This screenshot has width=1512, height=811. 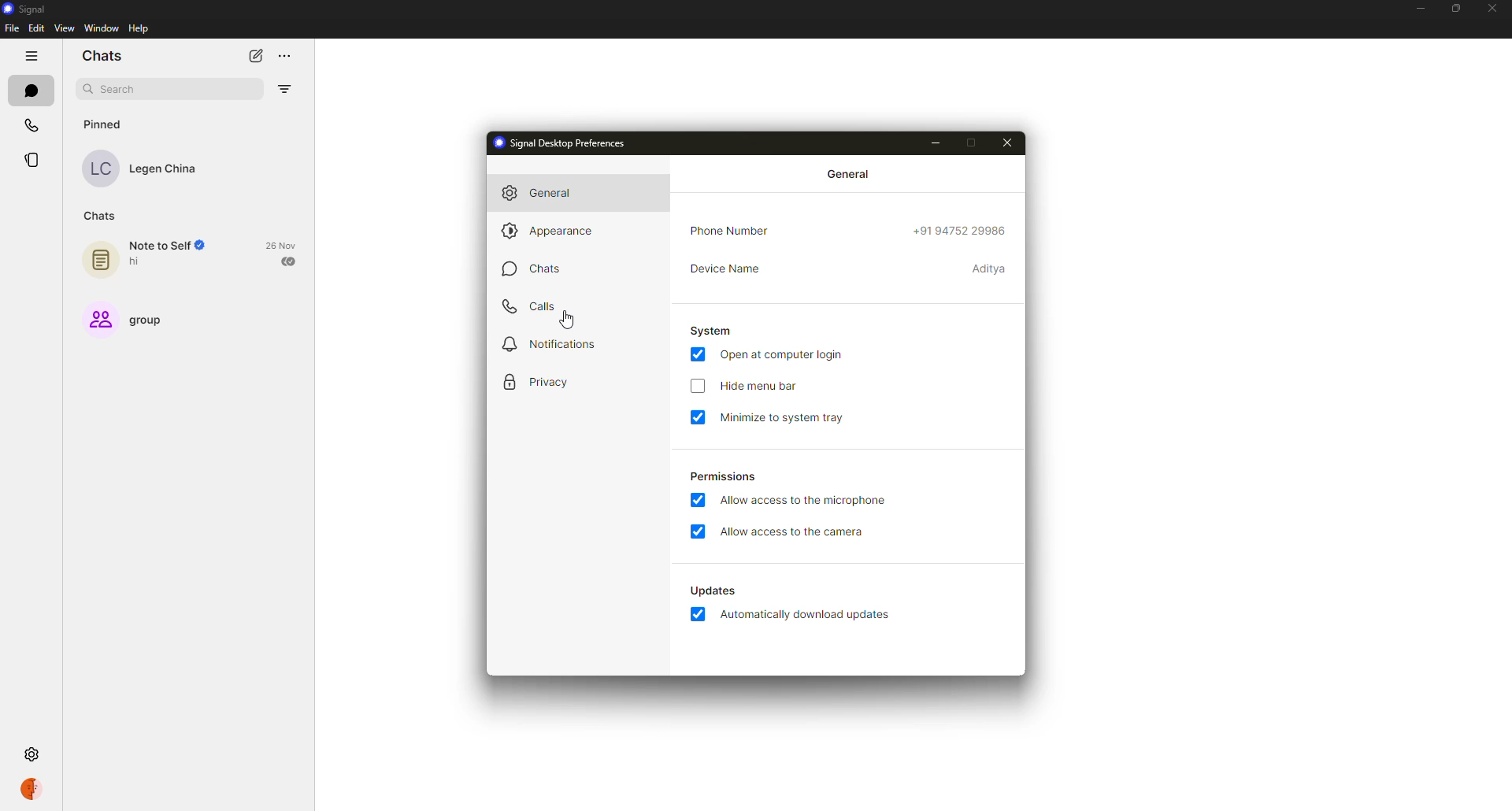 What do you see at coordinates (1007, 142) in the screenshot?
I see `close` at bounding box center [1007, 142].